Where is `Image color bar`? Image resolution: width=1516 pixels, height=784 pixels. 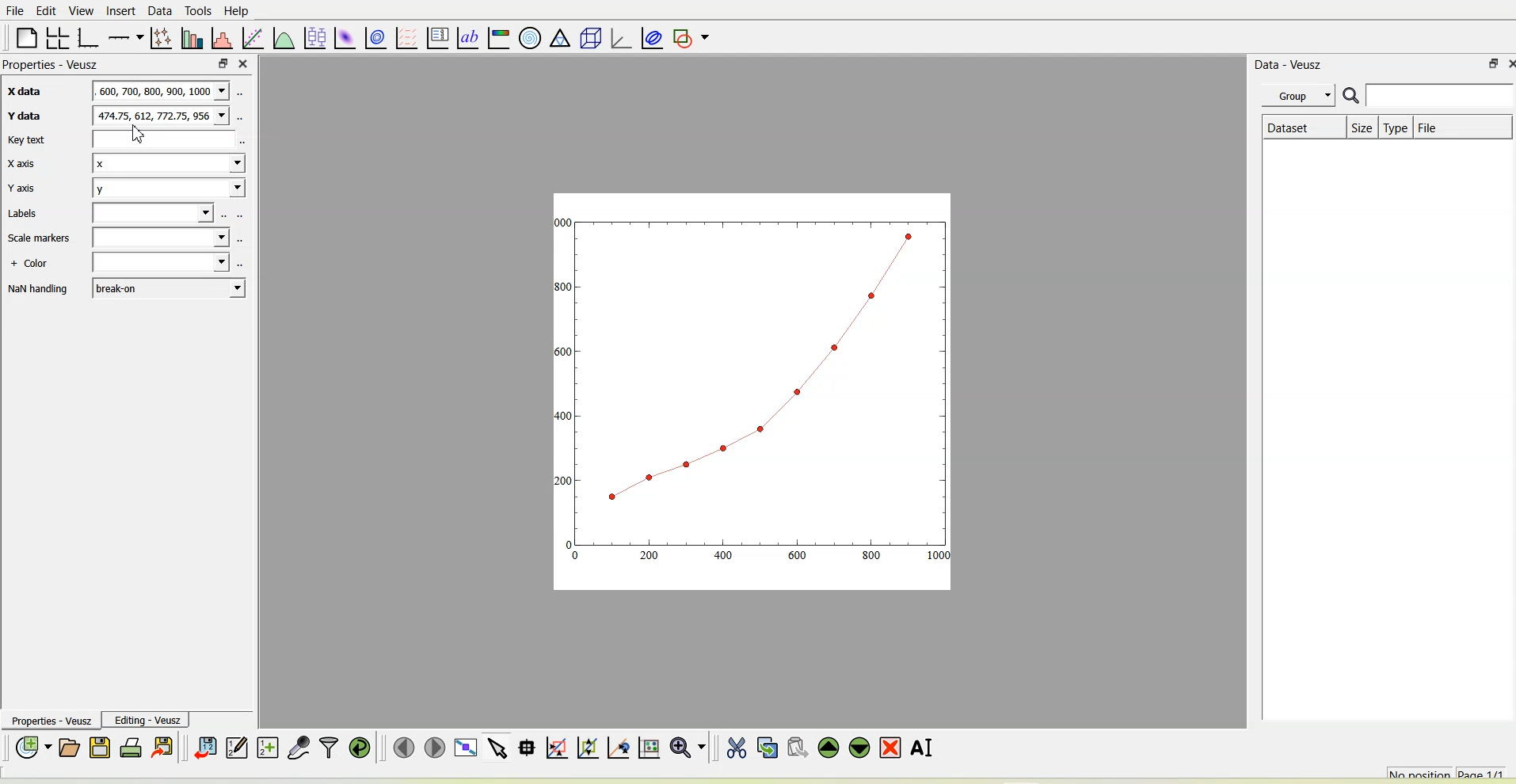
Image color bar is located at coordinates (498, 36).